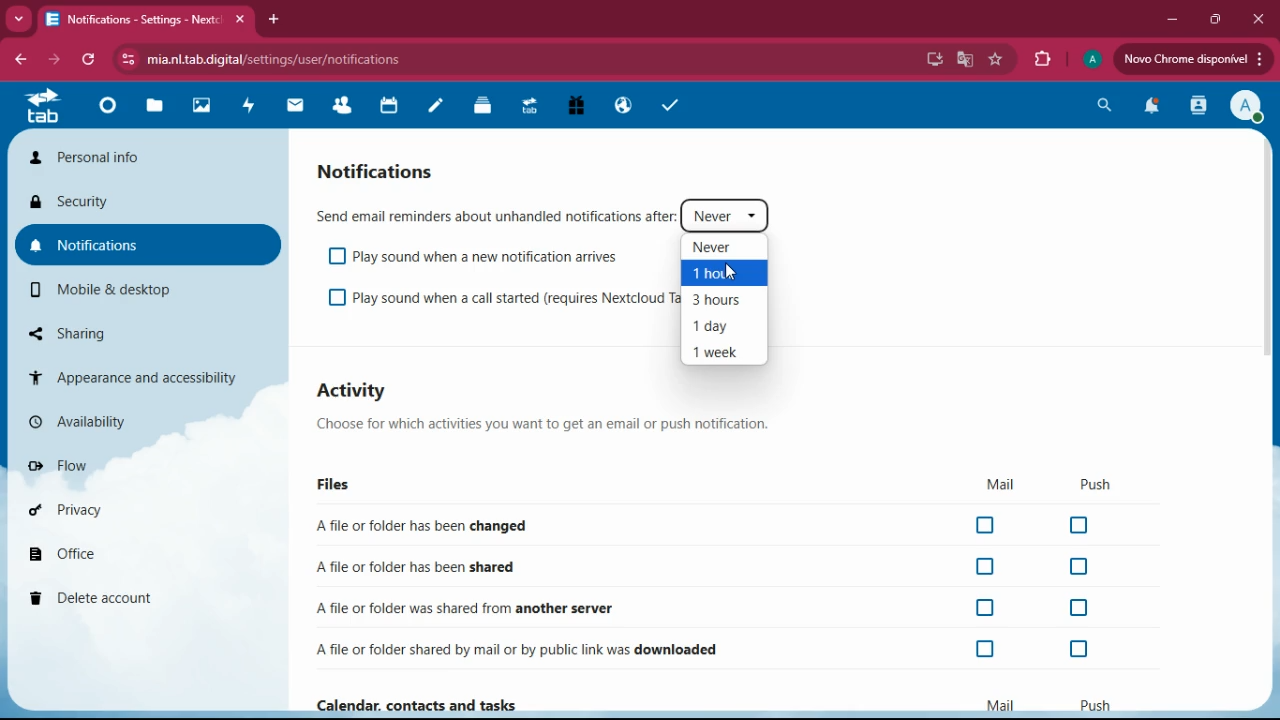 The height and width of the screenshot is (720, 1280). I want to click on notes, so click(434, 111).